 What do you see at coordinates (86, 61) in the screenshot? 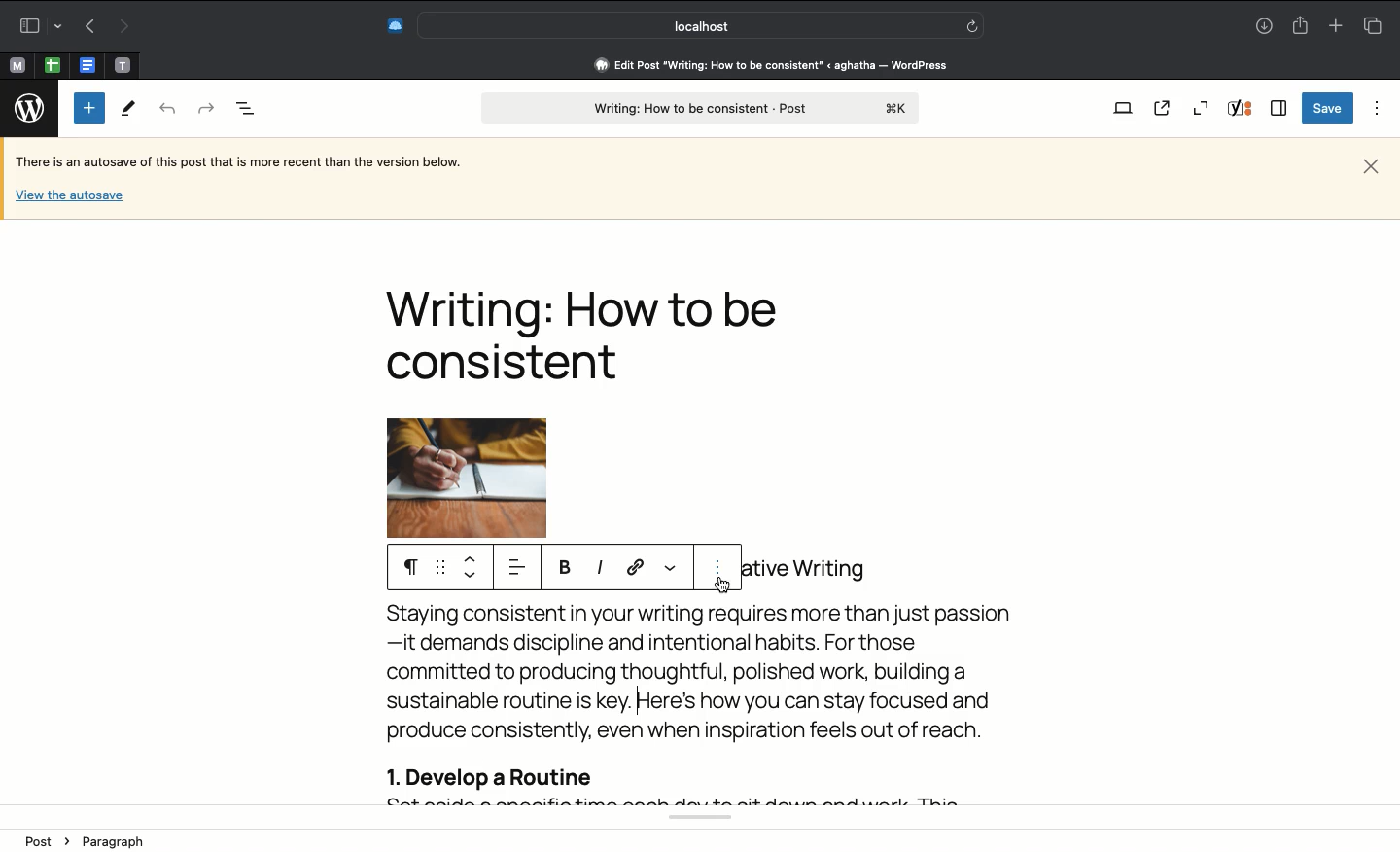
I see `pinned tab, google docs` at bounding box center [86, 61].